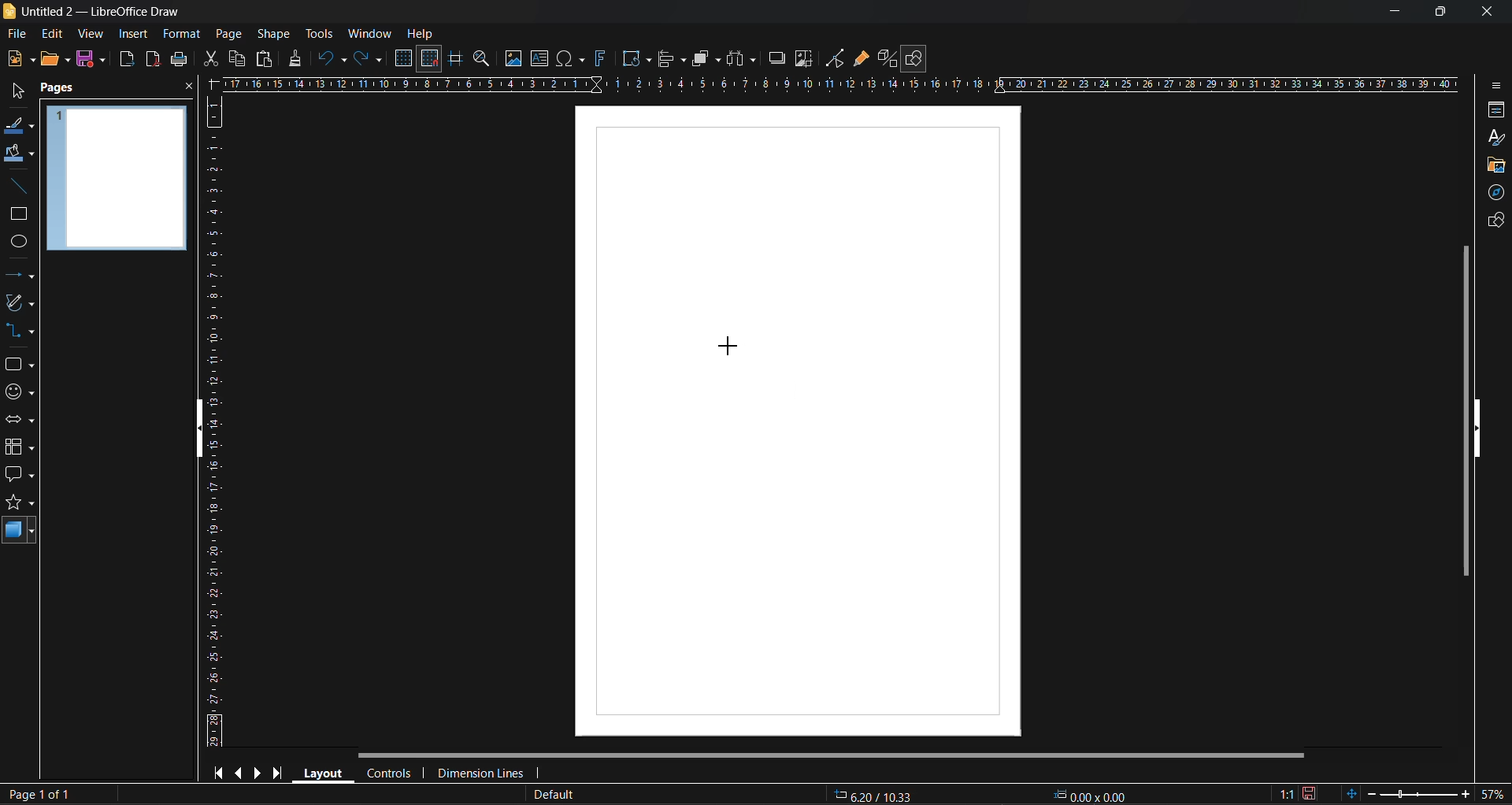  I want to click on cut, so click(213, 60).